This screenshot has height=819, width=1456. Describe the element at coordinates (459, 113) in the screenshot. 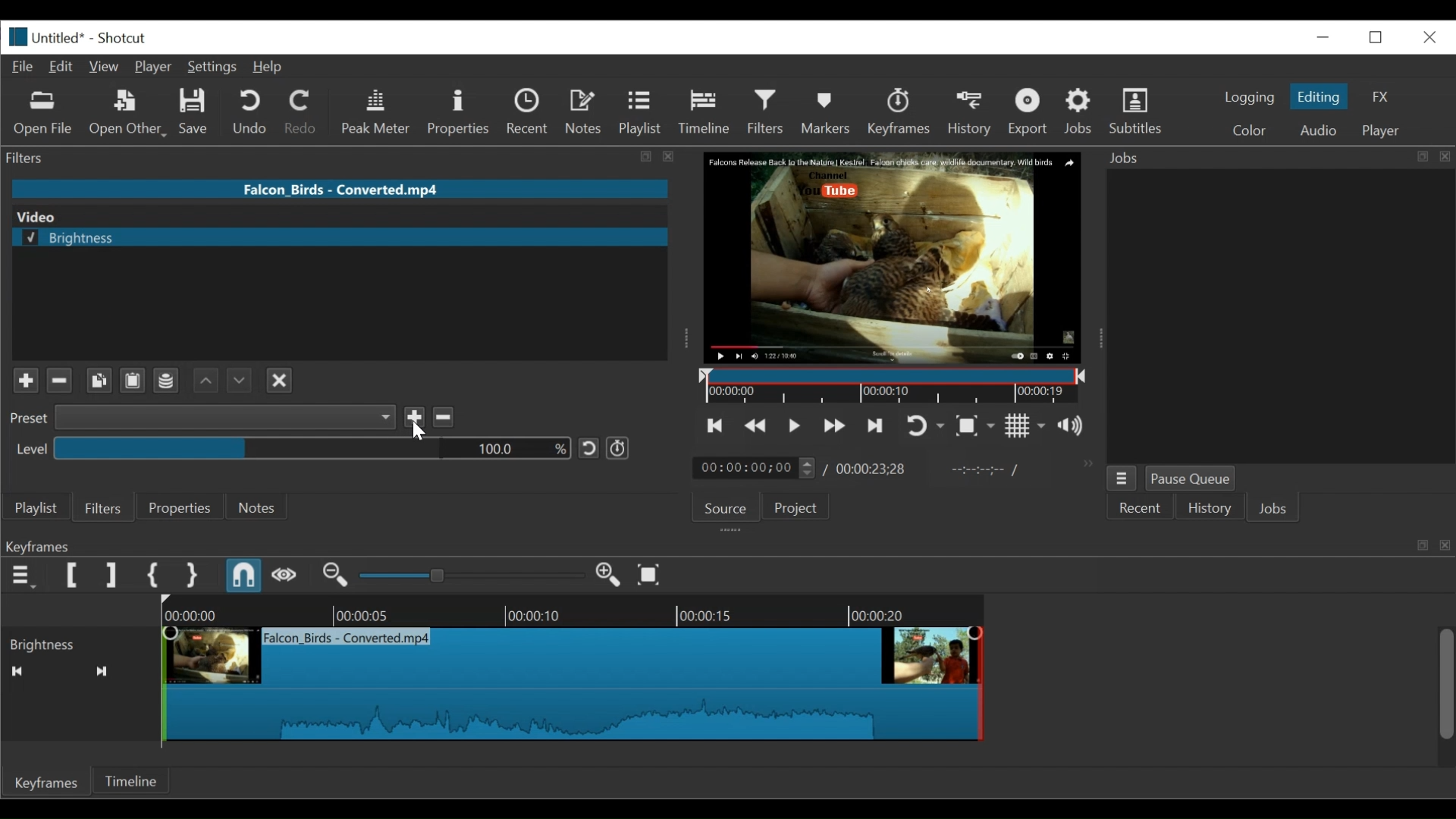

I see `Properties` at that location.